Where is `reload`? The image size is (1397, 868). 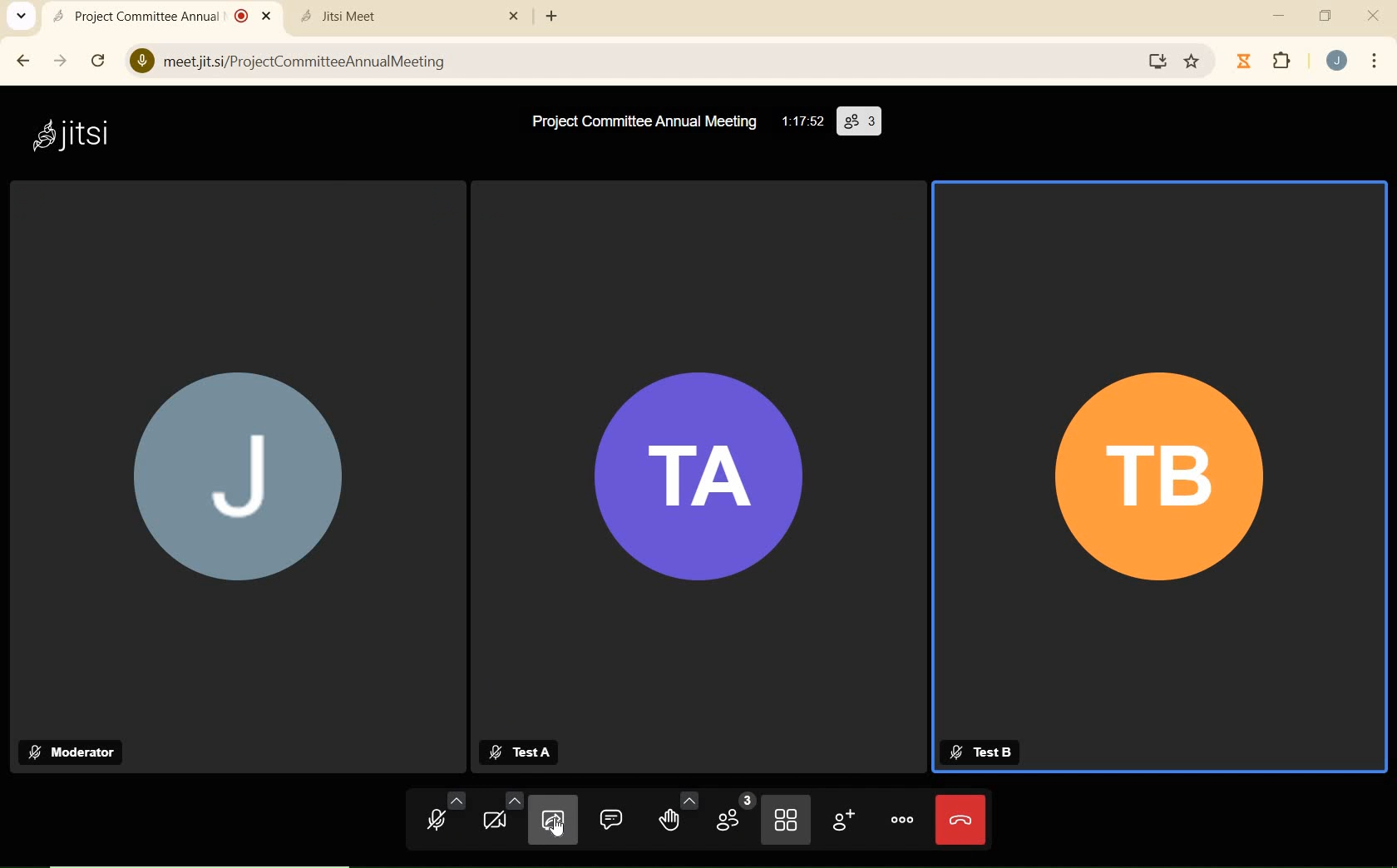 reload is located at coordinates (98, 60).